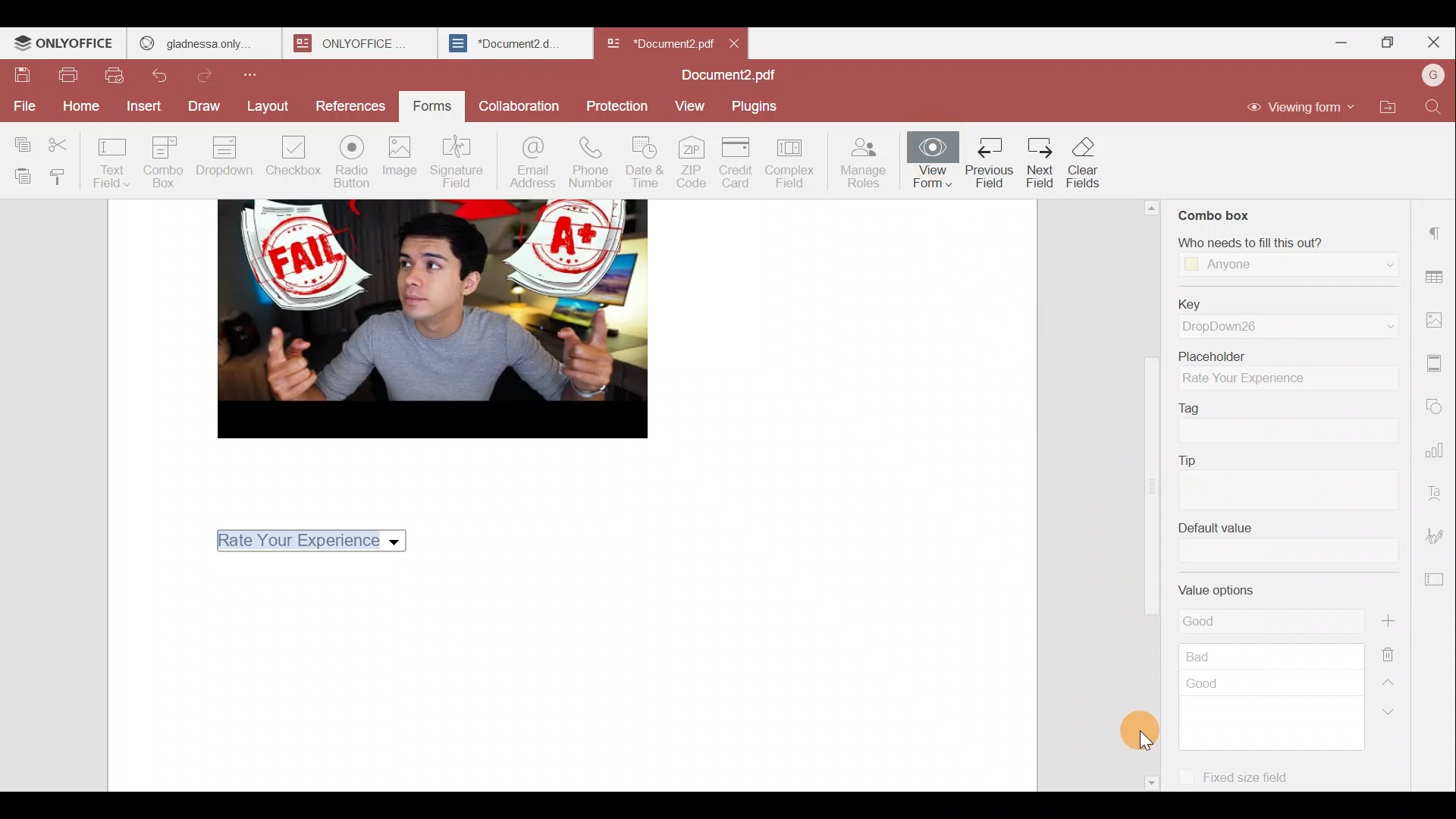 Image resolution: width=1456 pixels, height=819 pixels. Describe the element at coordinates (1259, 658) in the screenshot. I see `Value options` at that location.